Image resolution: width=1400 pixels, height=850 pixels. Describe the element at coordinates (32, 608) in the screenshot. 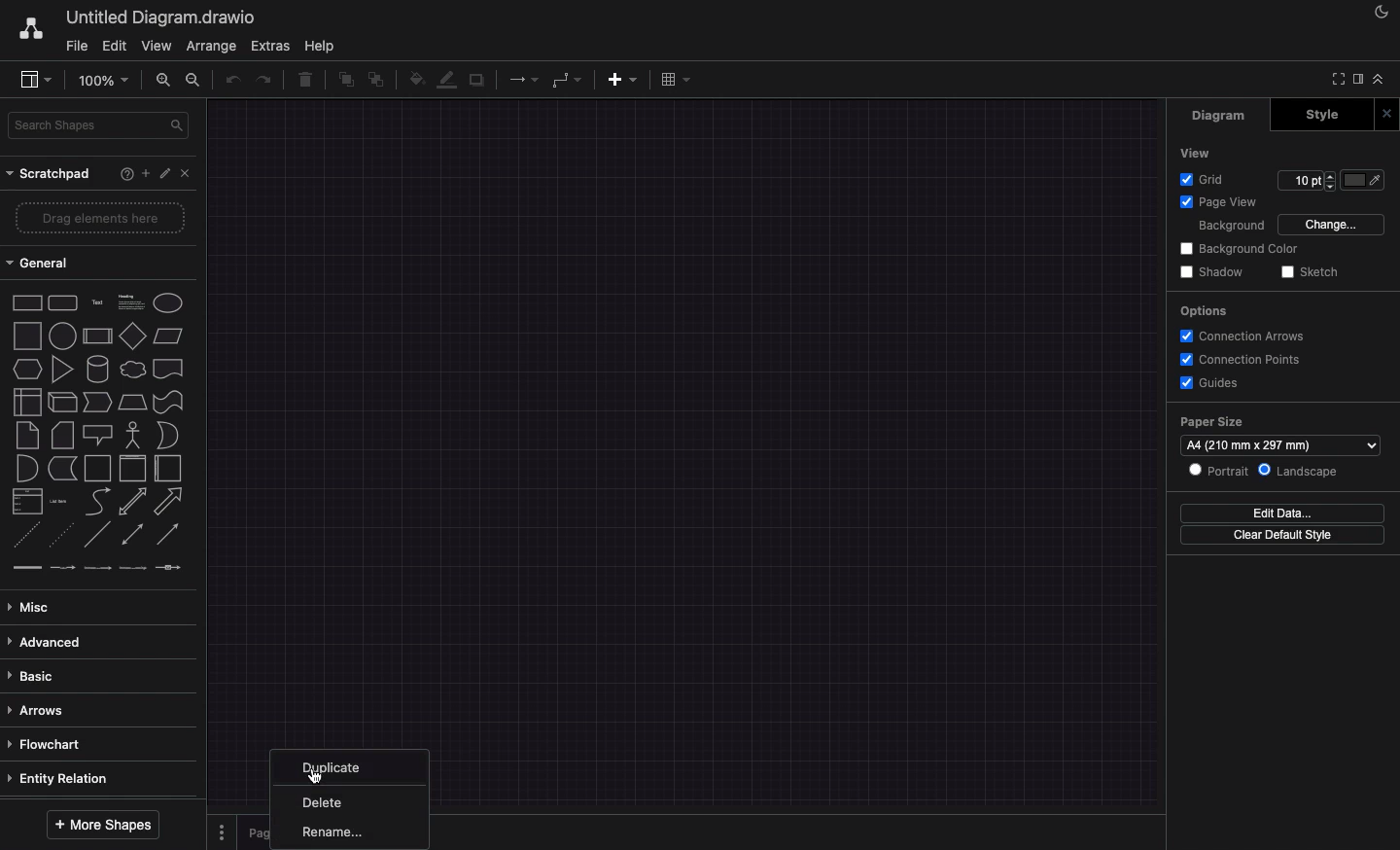

I see `misc` at that location.